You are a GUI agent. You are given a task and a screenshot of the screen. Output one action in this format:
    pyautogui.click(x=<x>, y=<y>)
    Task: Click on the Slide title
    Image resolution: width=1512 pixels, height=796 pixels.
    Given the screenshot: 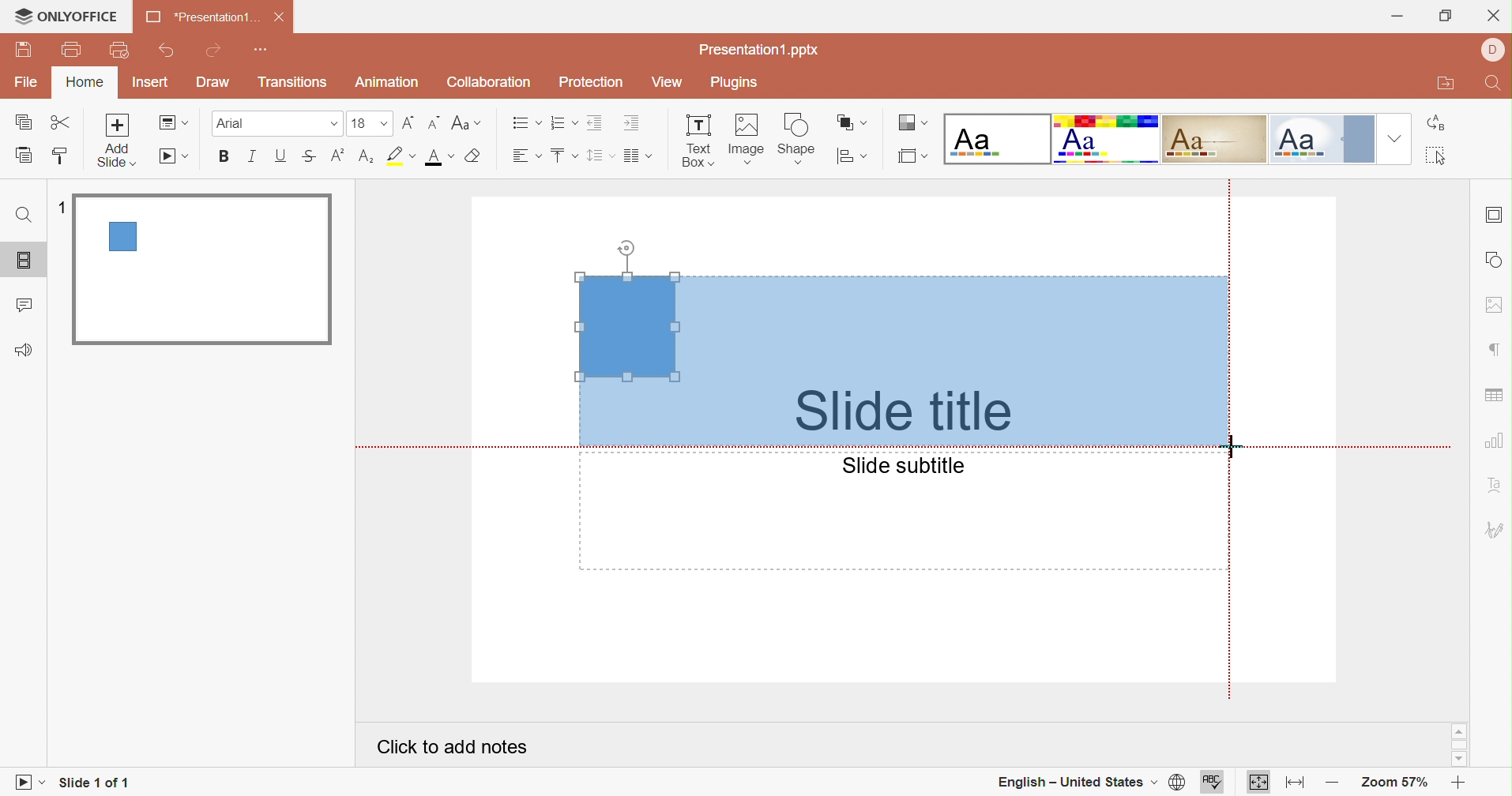 What is the action you would take?
    pyautogui.click(x=897, y=411)
    